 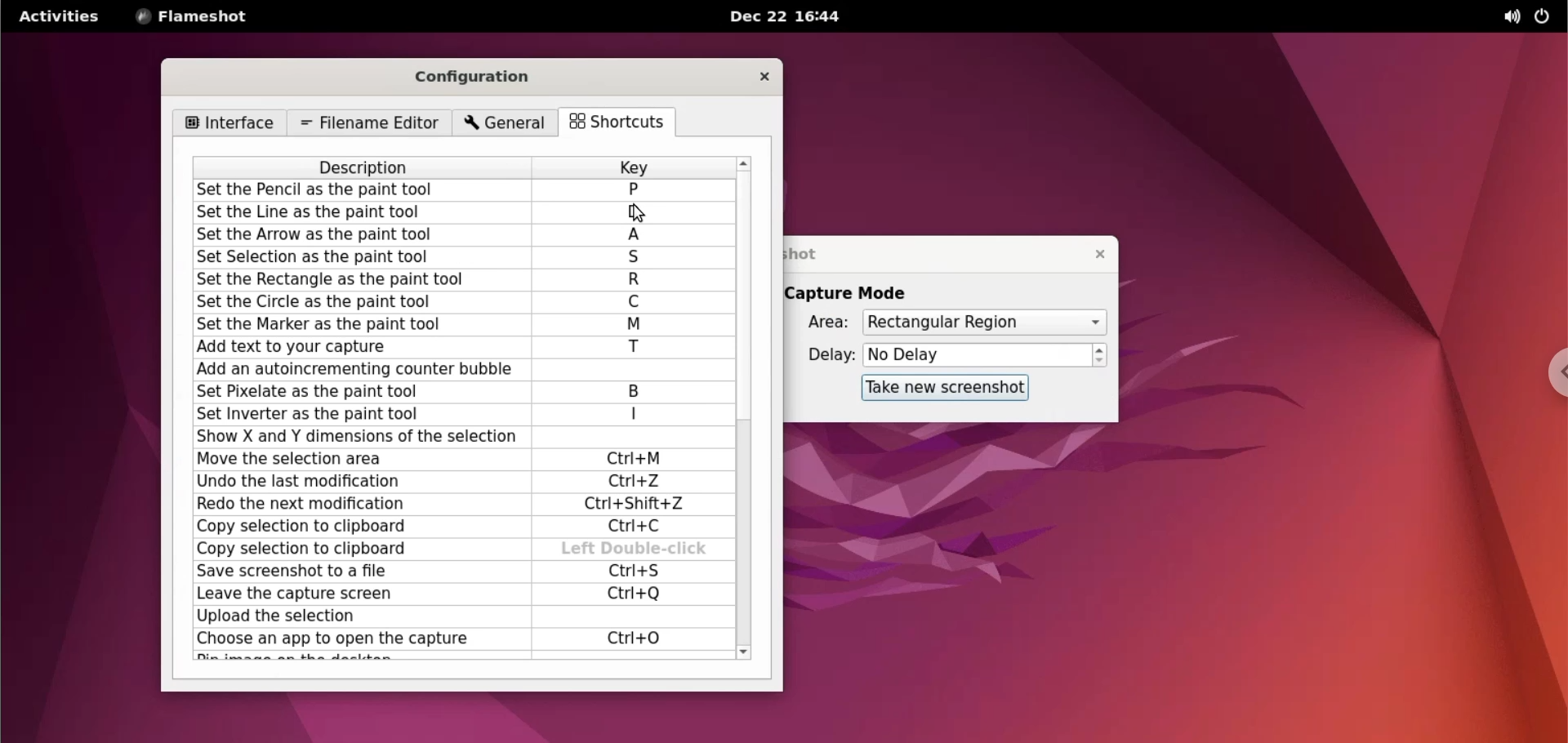 What do you see at coordinates (635, 638) in the screenshot?
I see `Ctrl + 0` at bounding box center [635, 638].